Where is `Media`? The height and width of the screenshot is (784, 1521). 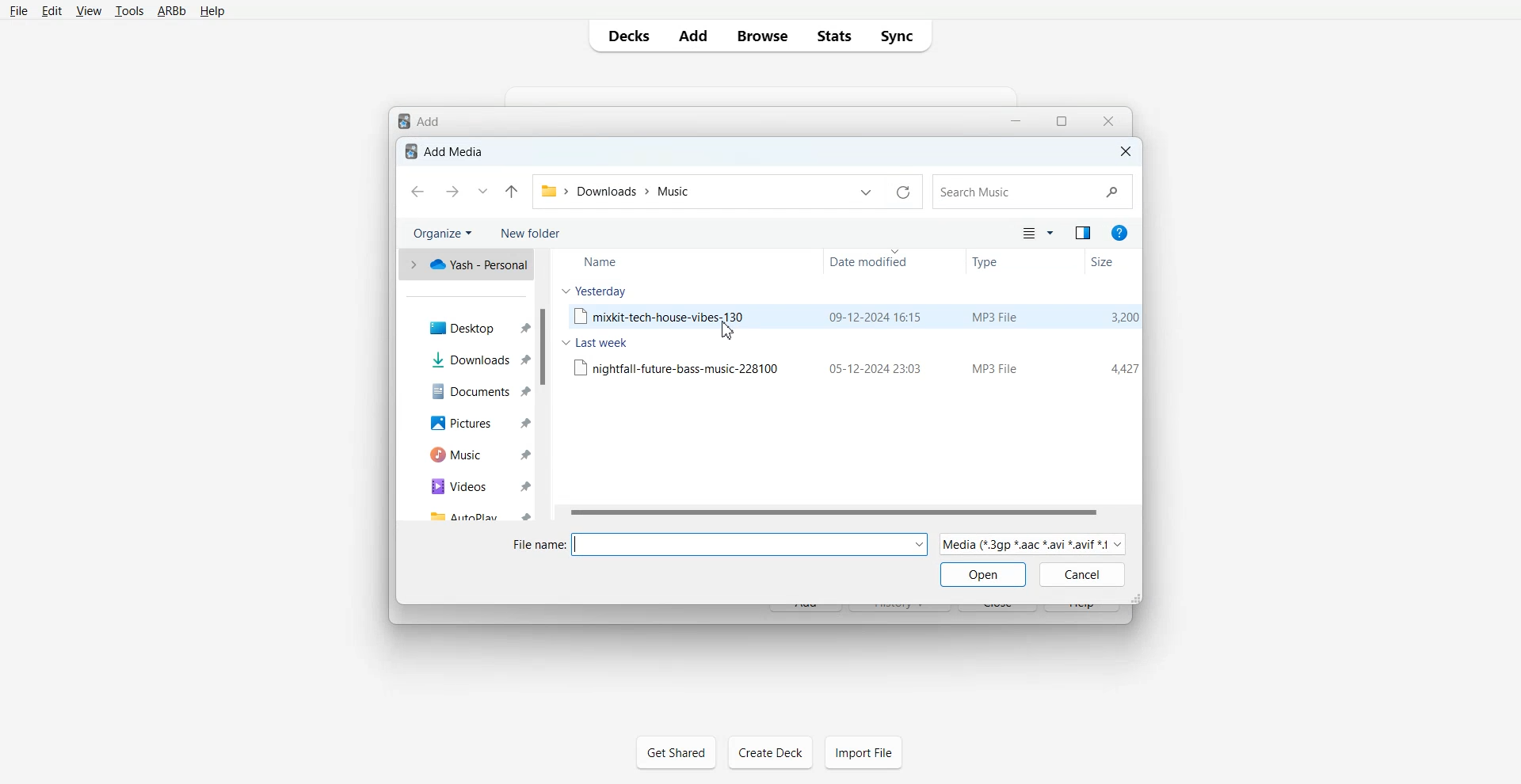
Media is located at coordinates (1034, 544).